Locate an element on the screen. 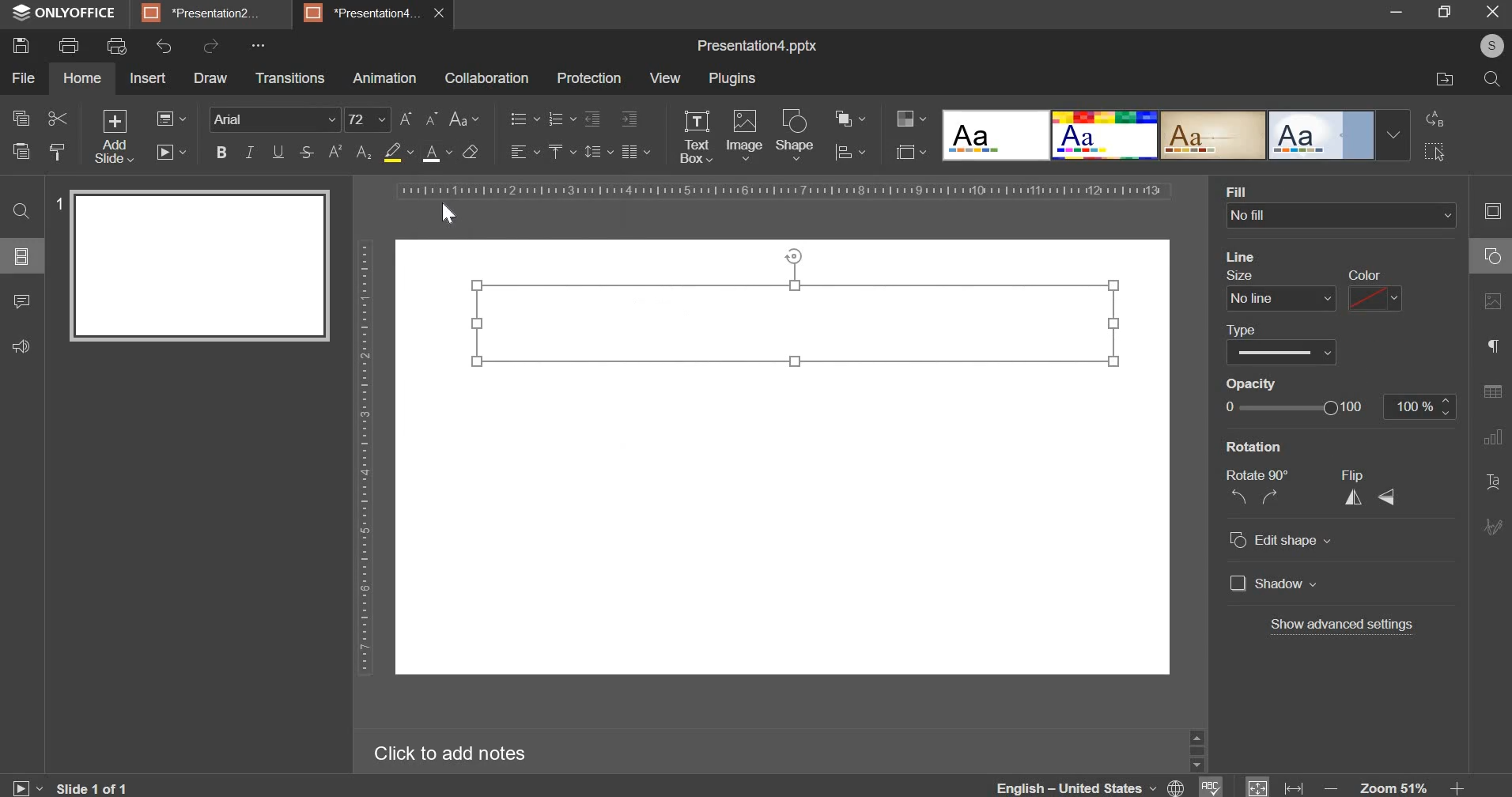 Image resolution: width=1512 pixels, height=797 pixels. increase indent is located at coordinates (629, 119).